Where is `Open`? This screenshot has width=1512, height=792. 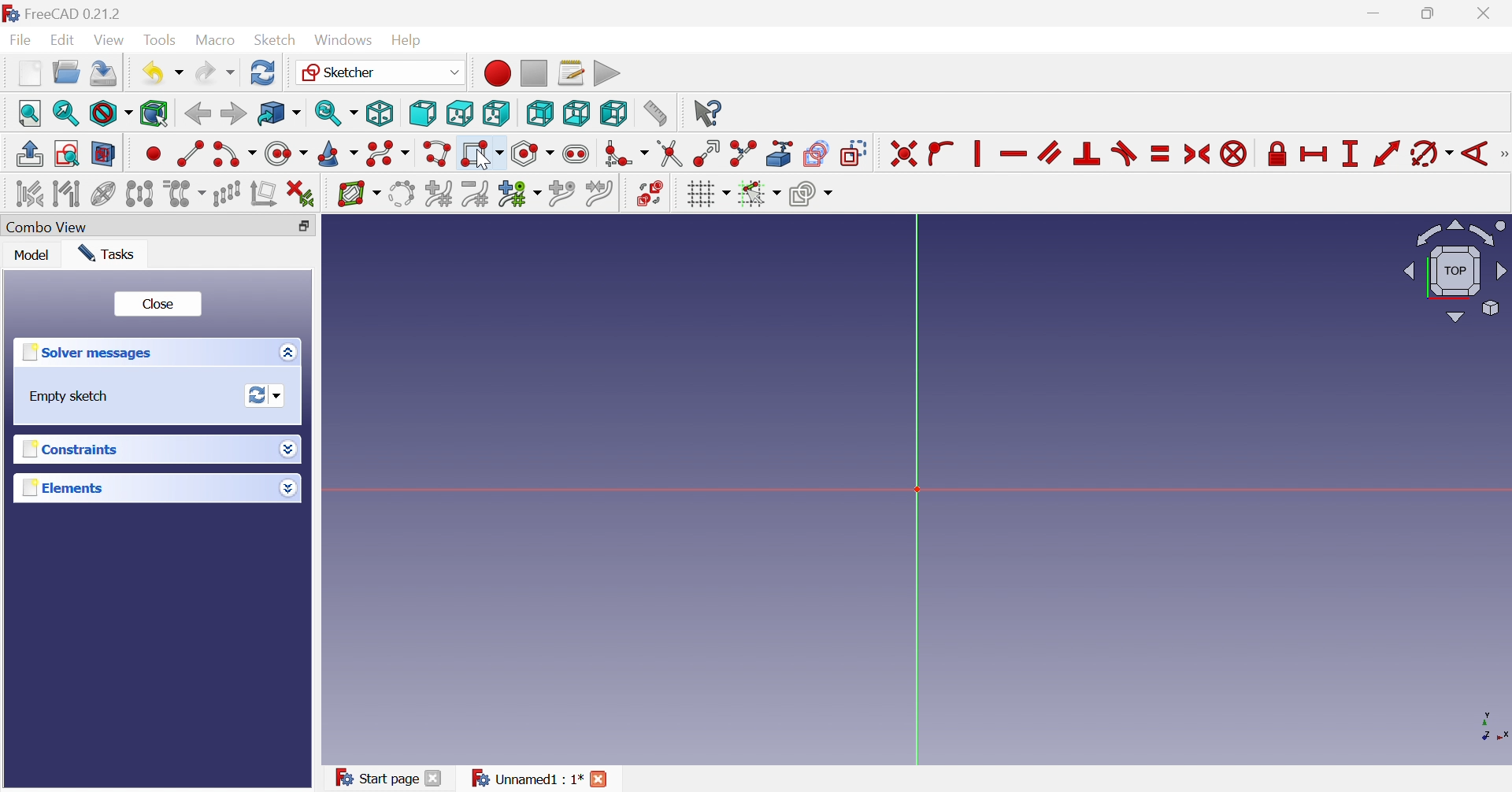
Open is located at coordinates (66, 72).